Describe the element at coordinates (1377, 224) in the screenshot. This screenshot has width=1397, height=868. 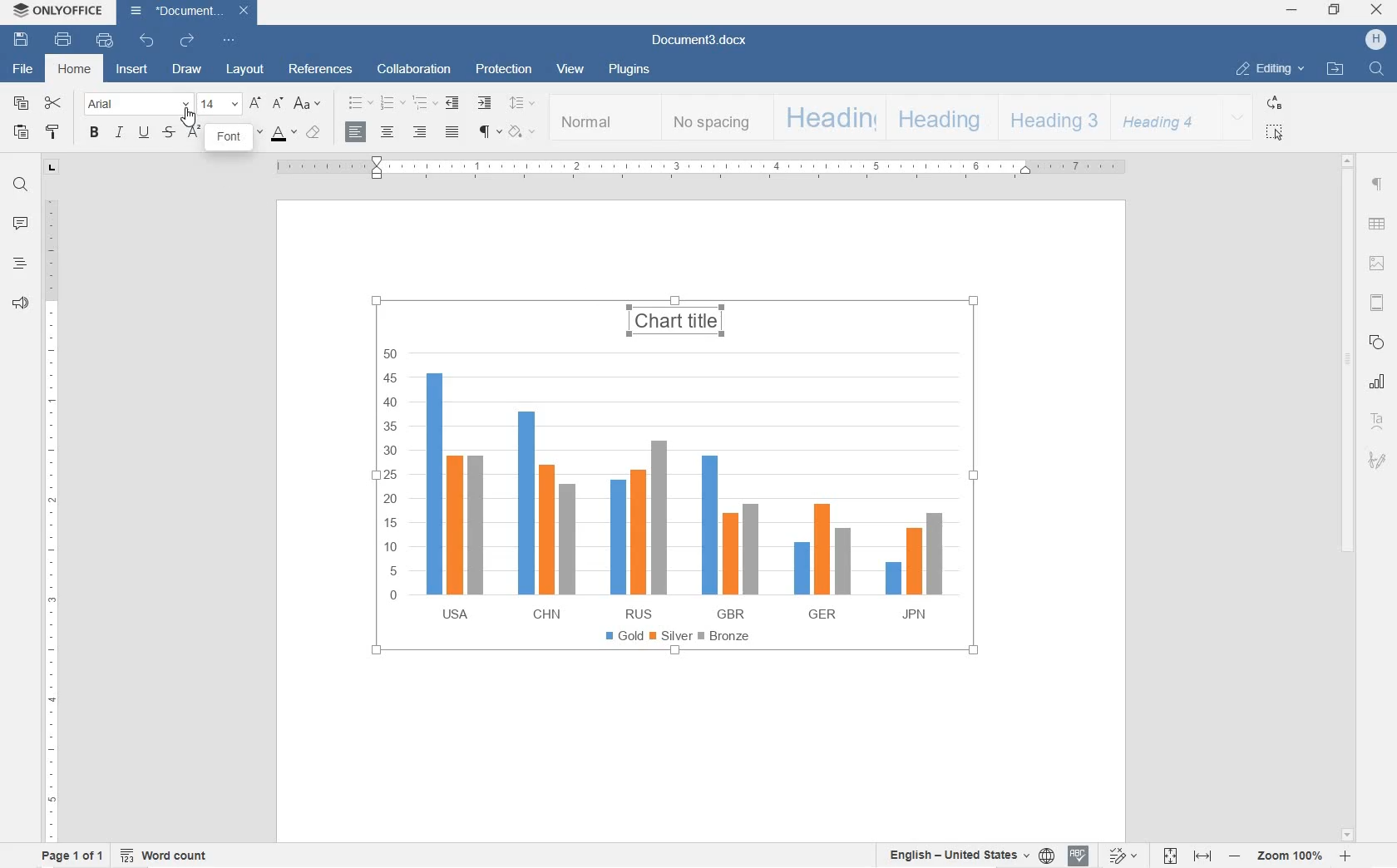
I see `TABLE SETTINGS` at that location.